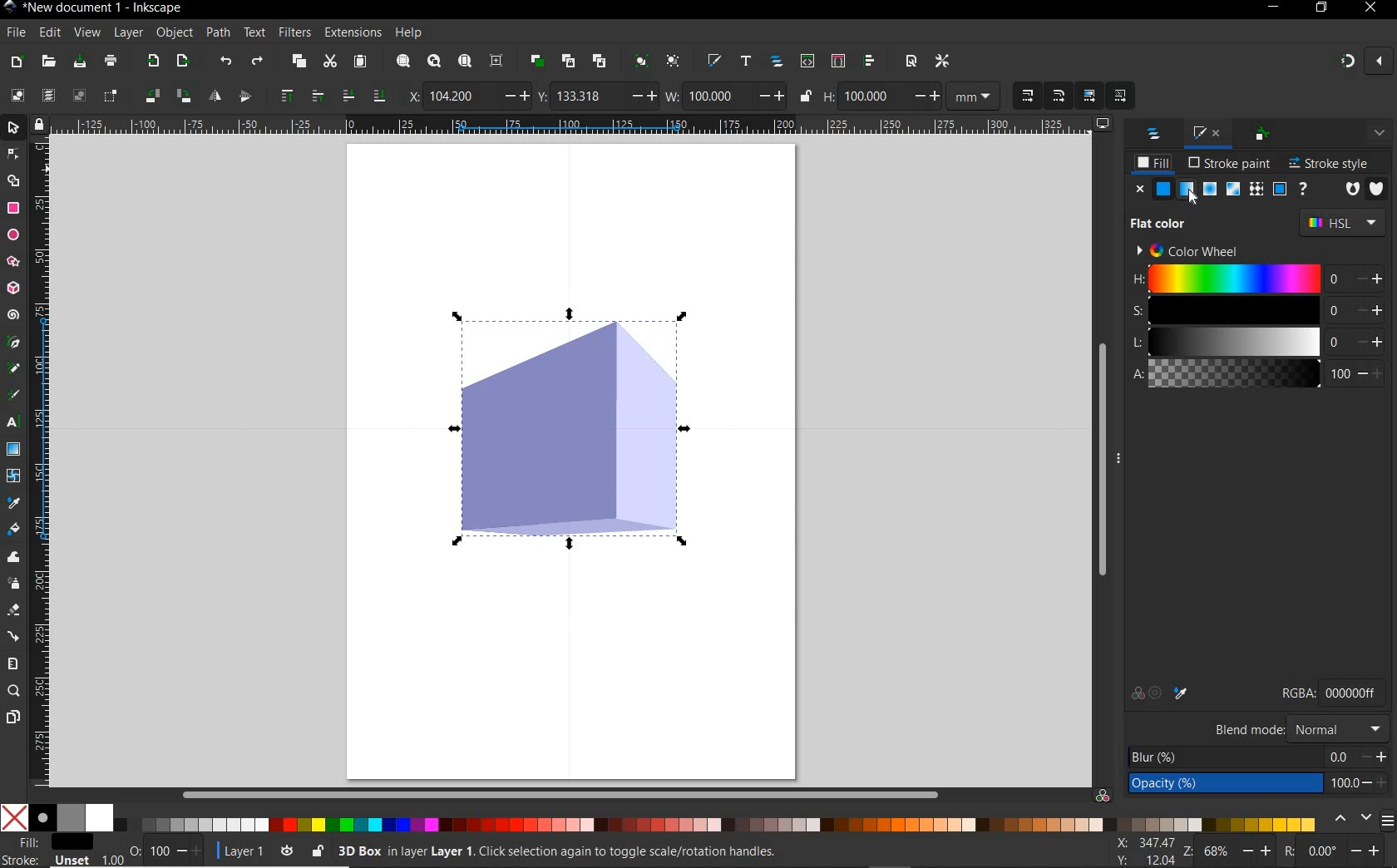  What do you see at coordinates (1258, 851) in the screenshot?
I see `increase/decrease` at bounding box center [1258, 851].